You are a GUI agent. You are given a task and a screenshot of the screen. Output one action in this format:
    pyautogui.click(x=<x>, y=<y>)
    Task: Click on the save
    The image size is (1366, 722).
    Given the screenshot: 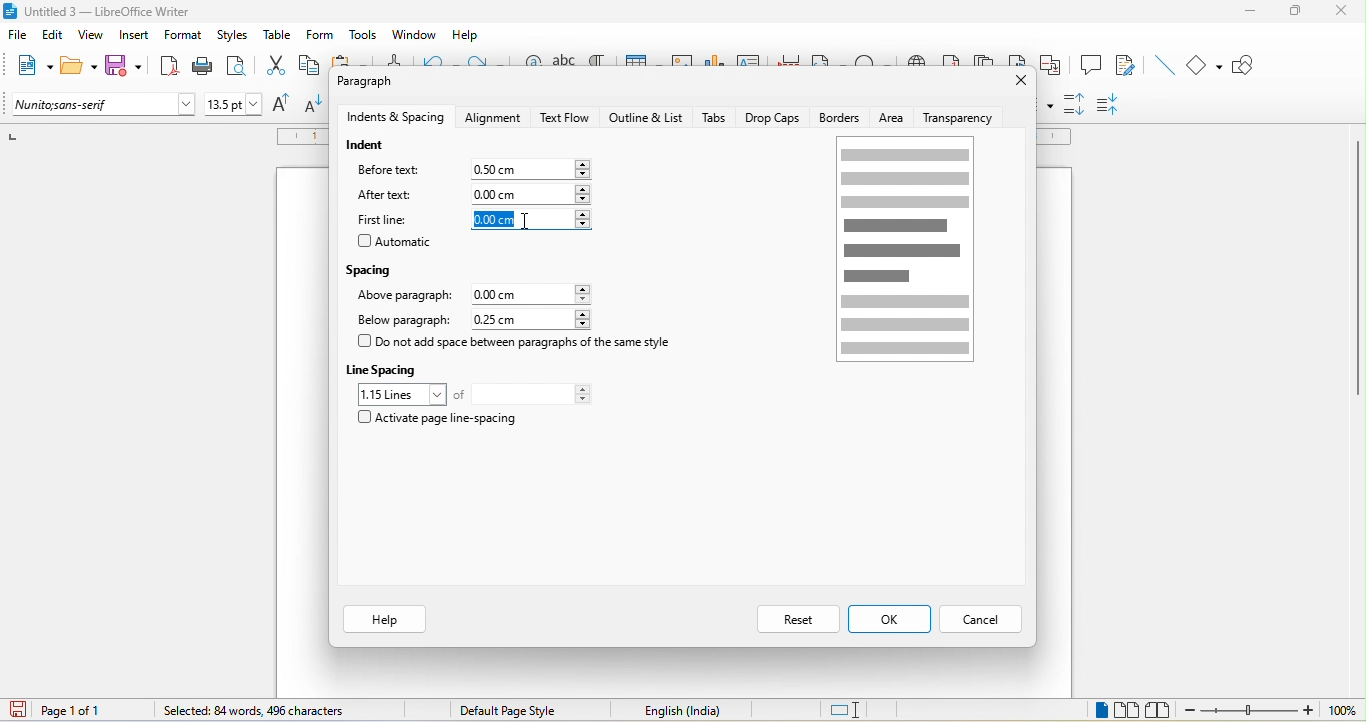 What is the action you would take?
    pyautogui.click(x=125, y=66)
    